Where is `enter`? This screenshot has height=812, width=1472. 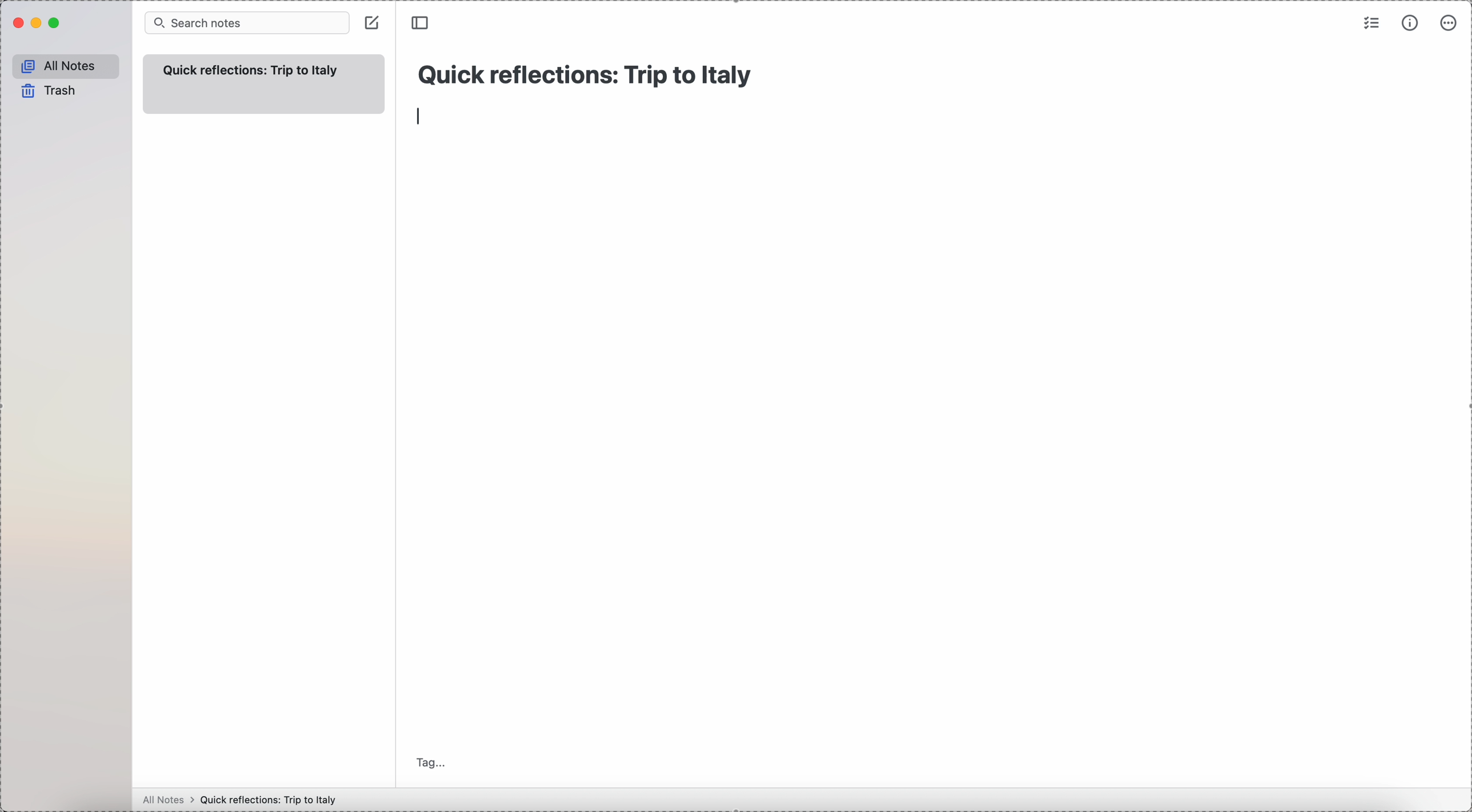
enter is located at coordinates (425, 117).